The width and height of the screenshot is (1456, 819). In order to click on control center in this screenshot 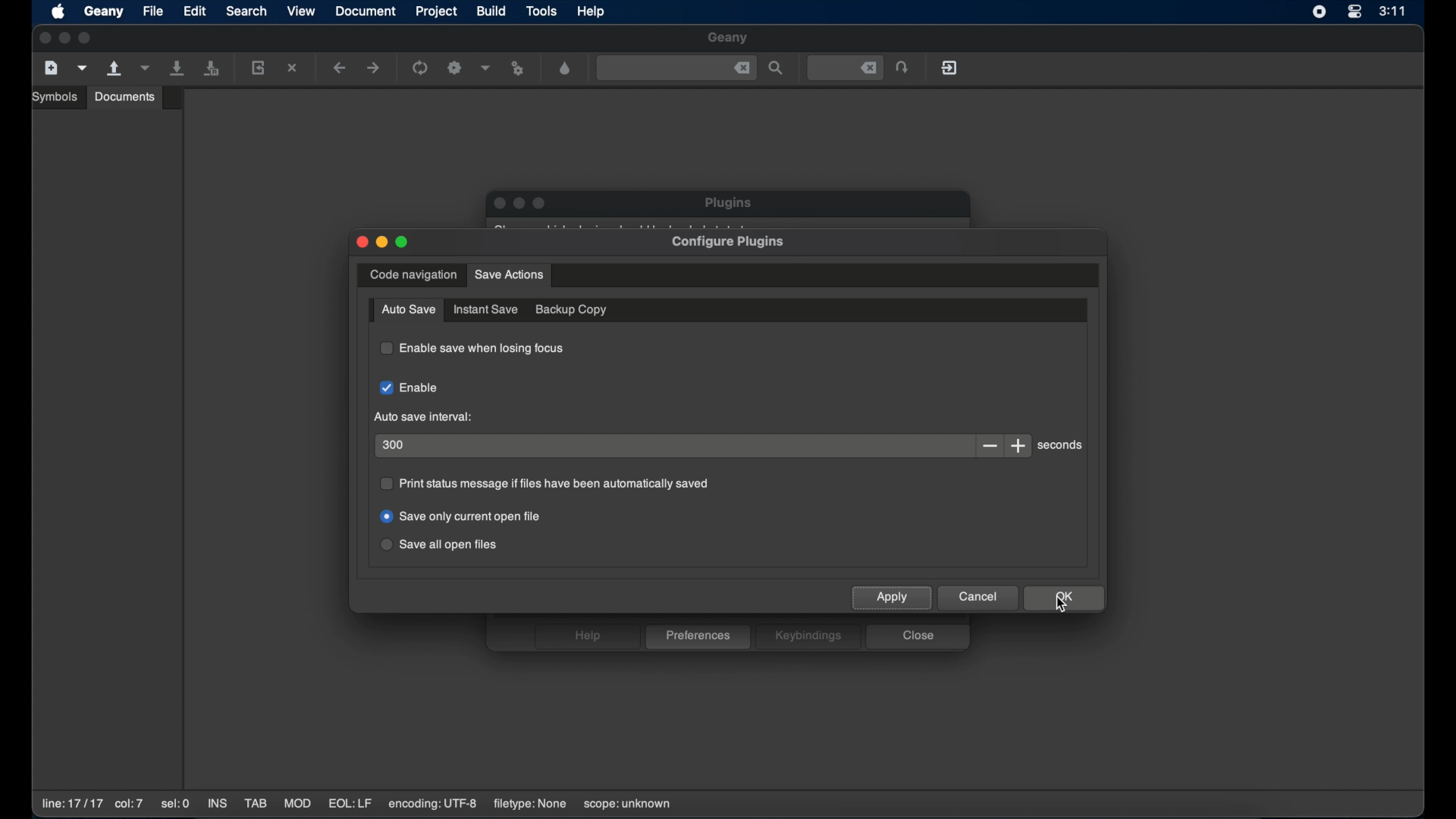, I will do `click(1354, 13)`.